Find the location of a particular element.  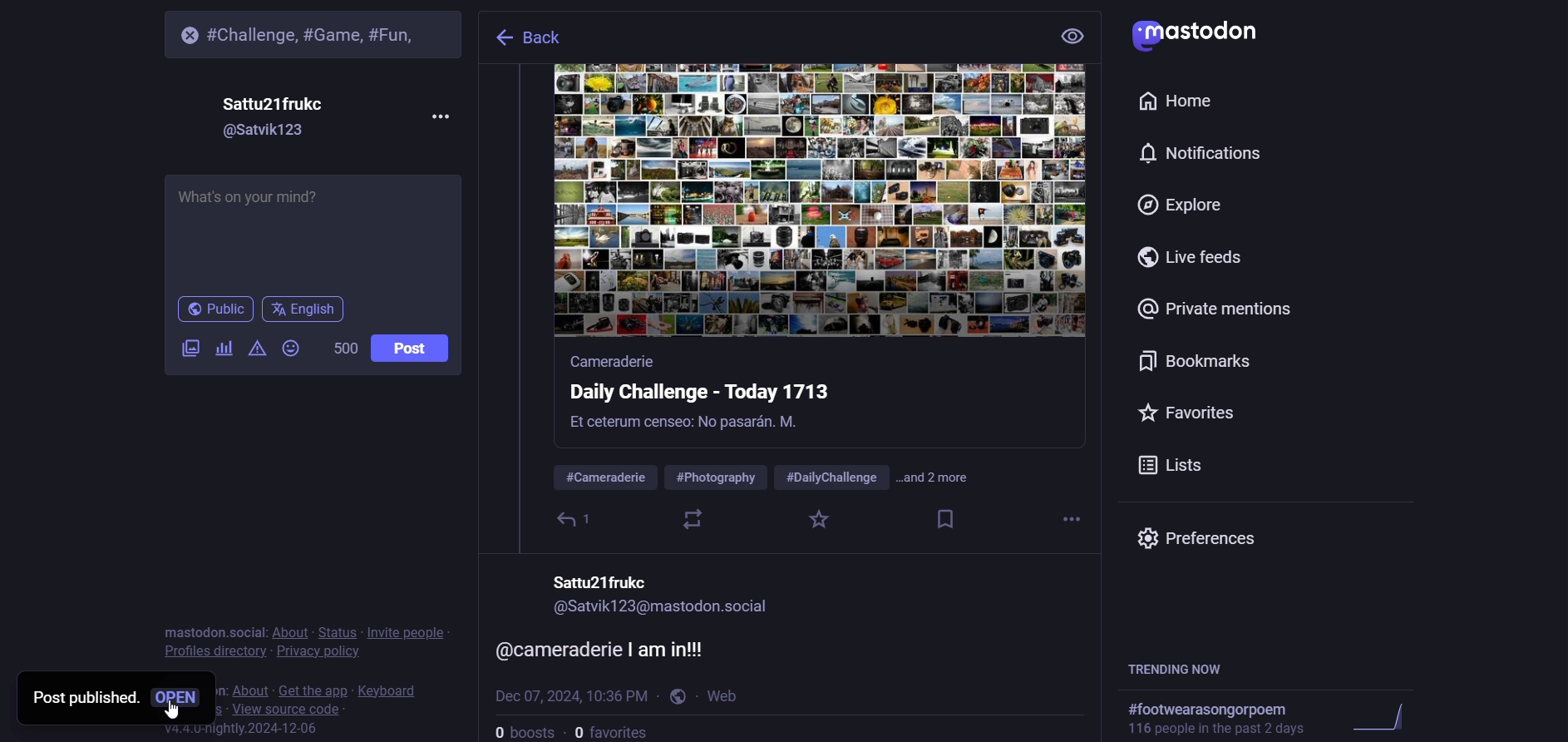

keyboard is located at coordinates (392, 688).